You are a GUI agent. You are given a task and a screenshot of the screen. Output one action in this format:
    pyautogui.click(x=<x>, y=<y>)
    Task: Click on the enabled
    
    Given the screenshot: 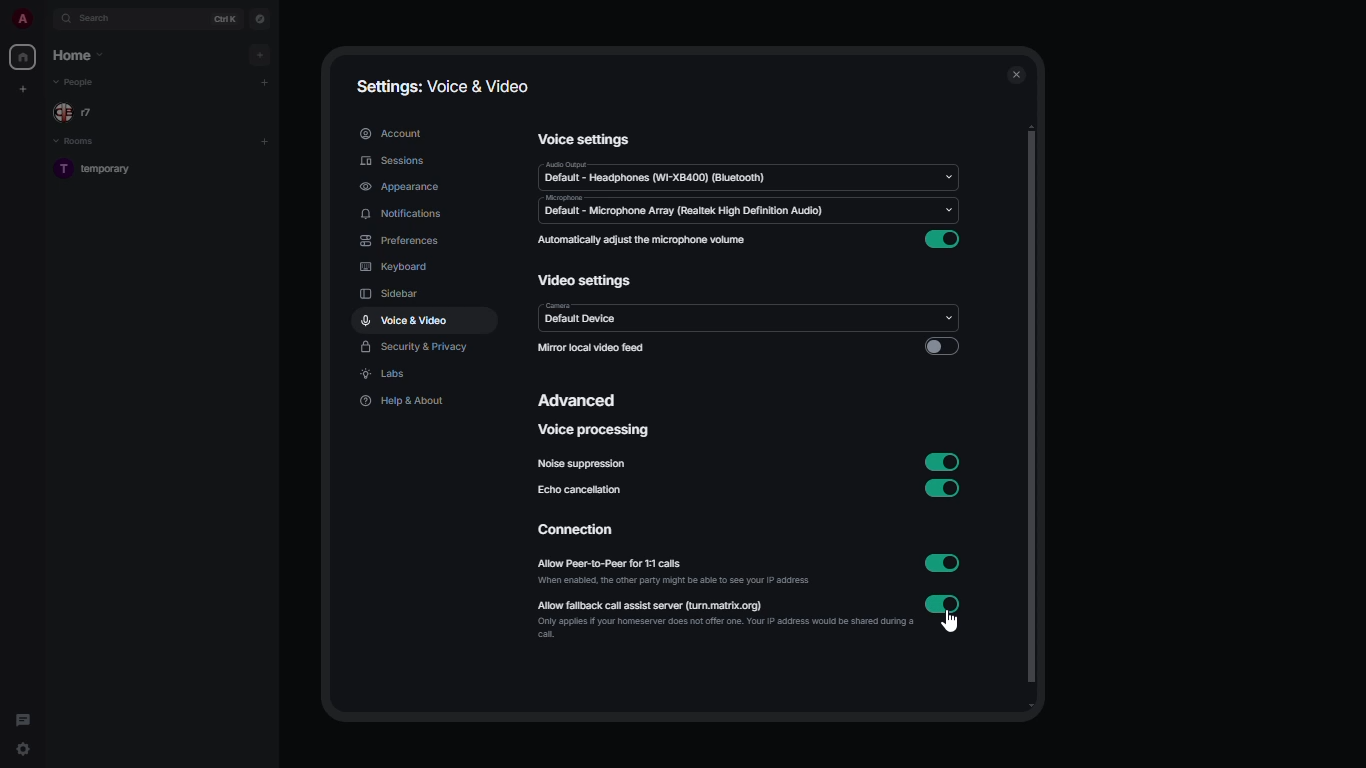 What is the action you would take?
    pyautogui.click(x=944, y=564)
    